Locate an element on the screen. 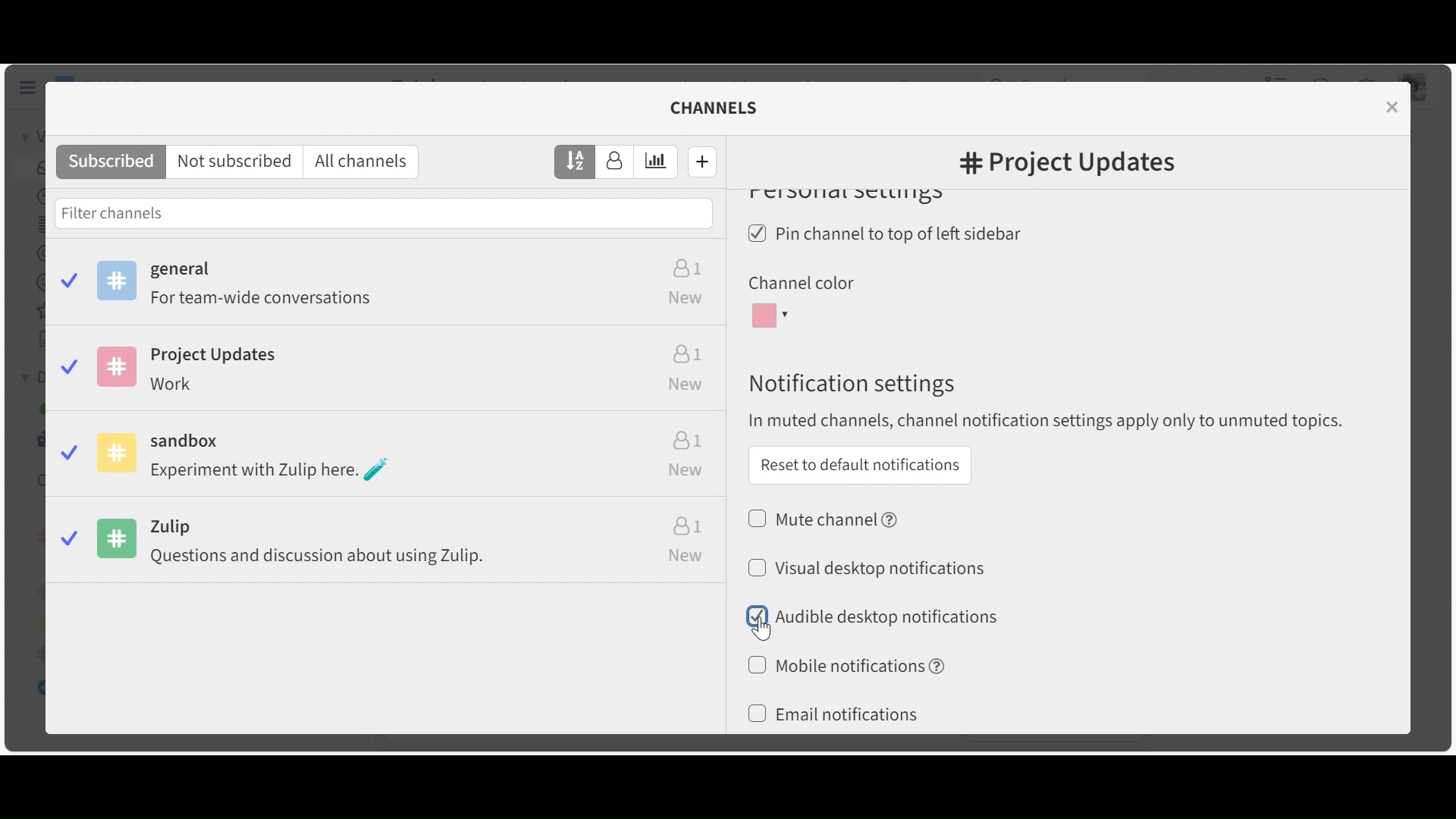 This screenshot has height=819, width=1456. Project Updates is located at coordinates (386, 372).